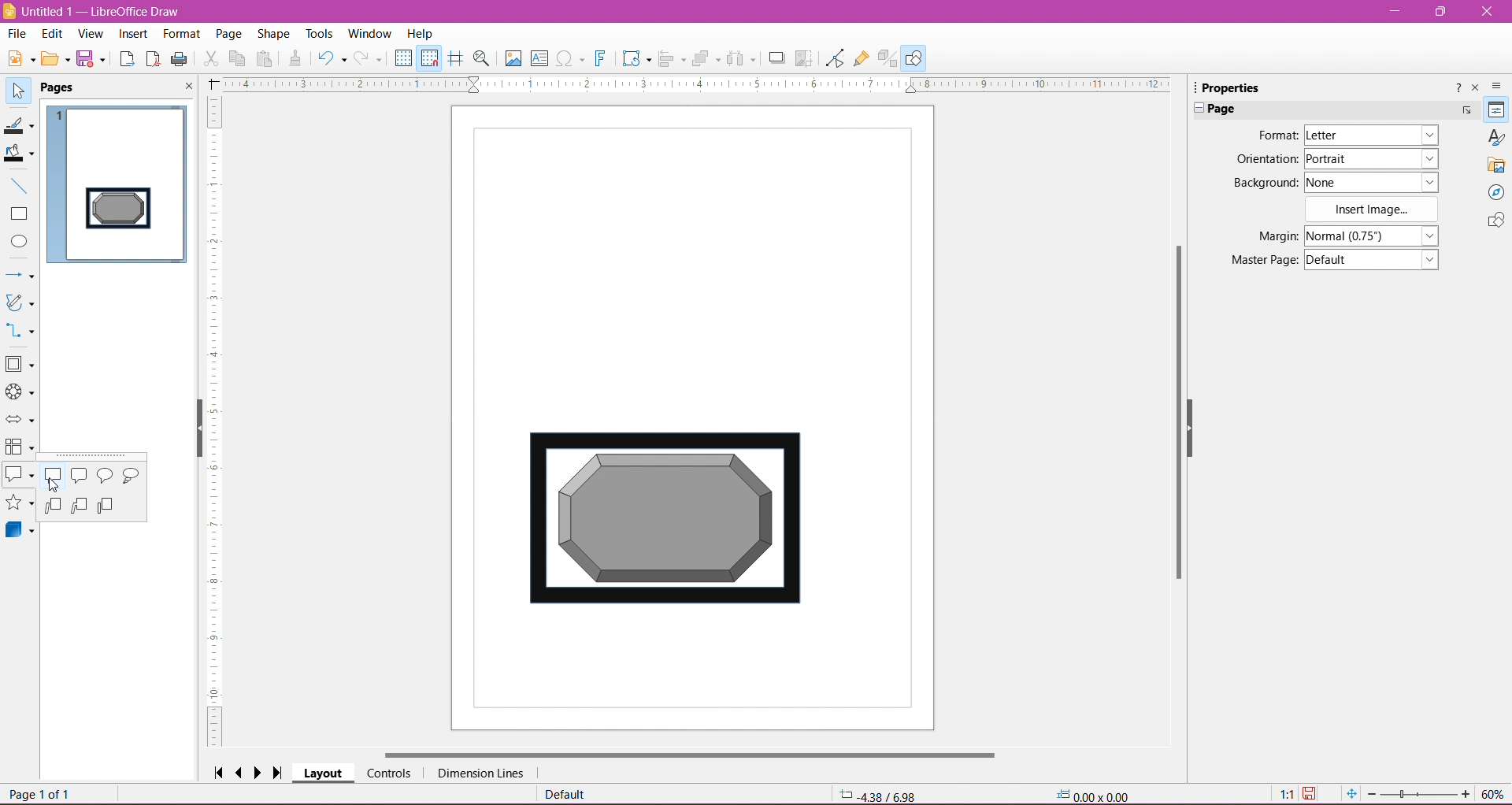  What do you see at coordinates (55, 487) in the screenshot?
I see `cursor` at bounding box center [55, 487].